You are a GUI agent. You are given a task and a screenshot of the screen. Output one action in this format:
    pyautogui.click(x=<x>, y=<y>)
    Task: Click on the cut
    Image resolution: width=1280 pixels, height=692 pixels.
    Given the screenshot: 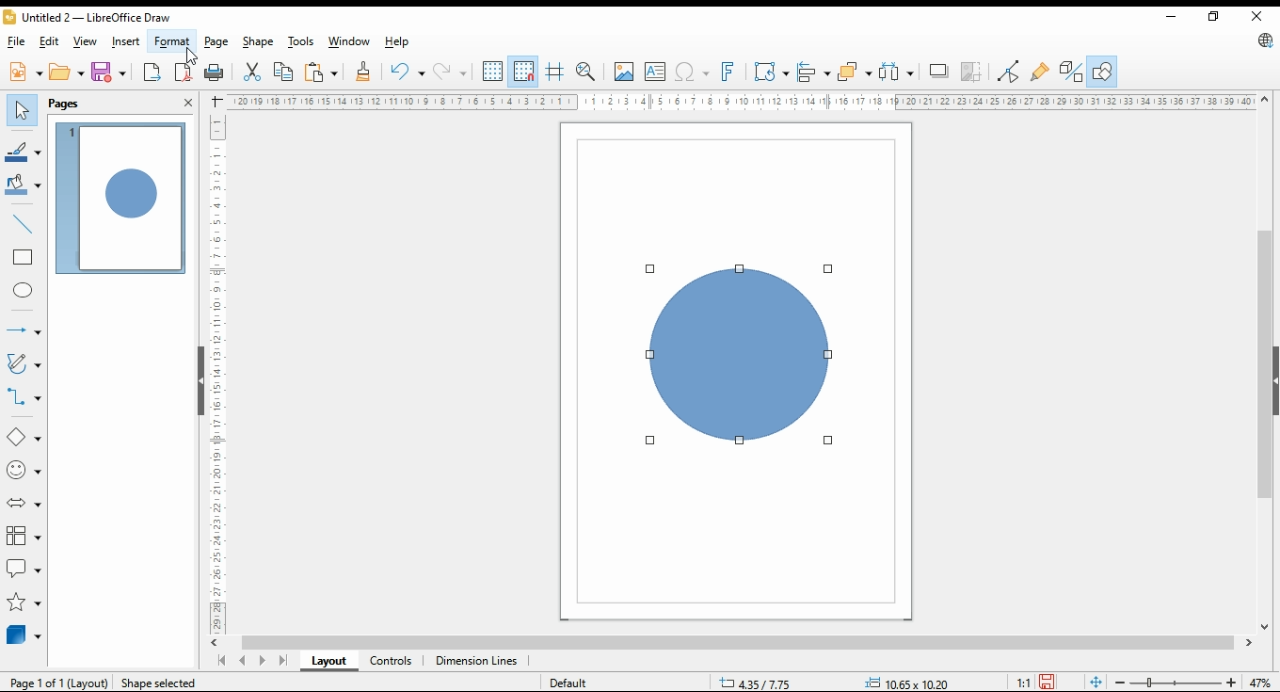 What is the action you would take?
    pyautogui.click(x=253, y=71)
    